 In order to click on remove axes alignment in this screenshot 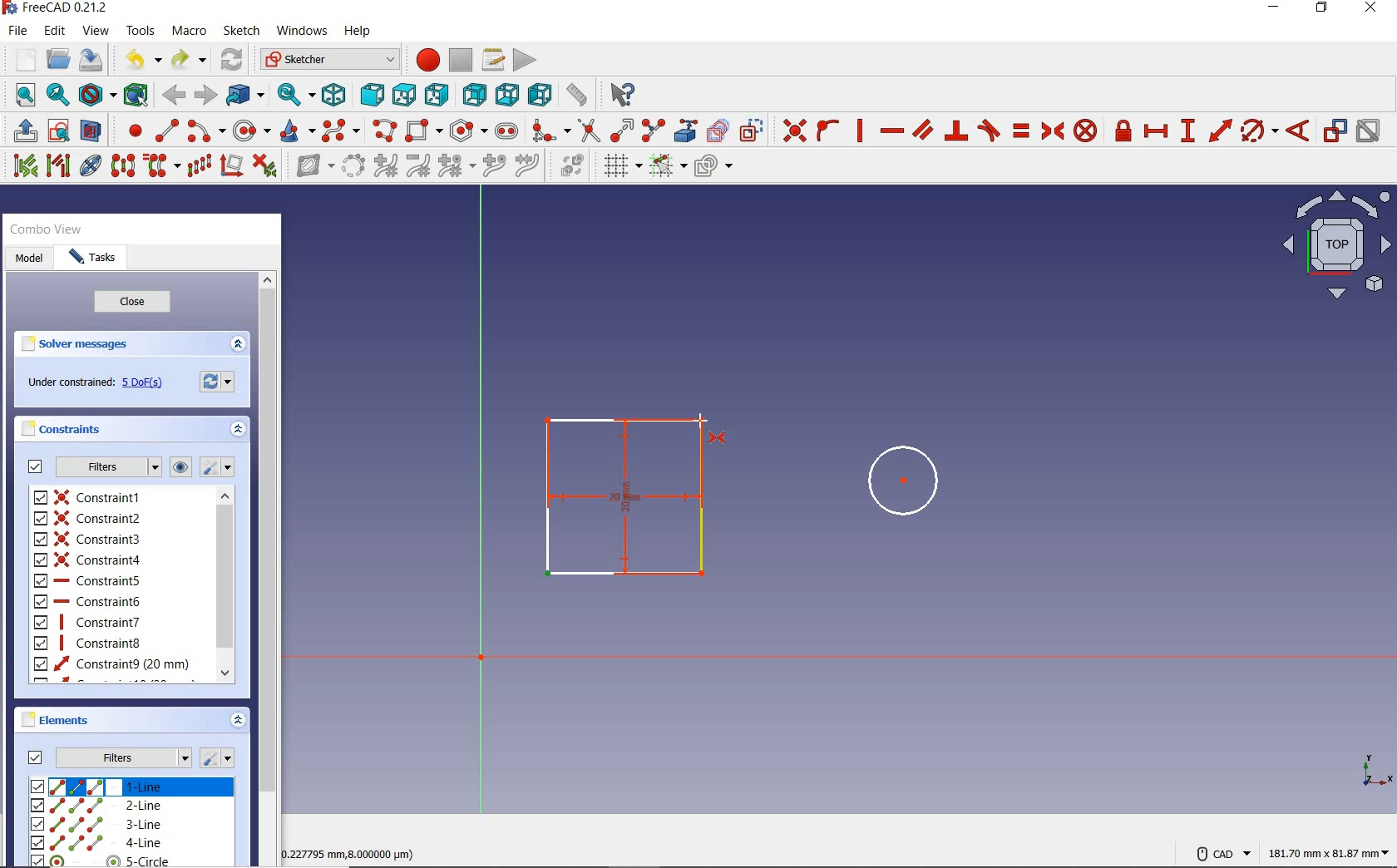, I will do `click(232, 165)`.